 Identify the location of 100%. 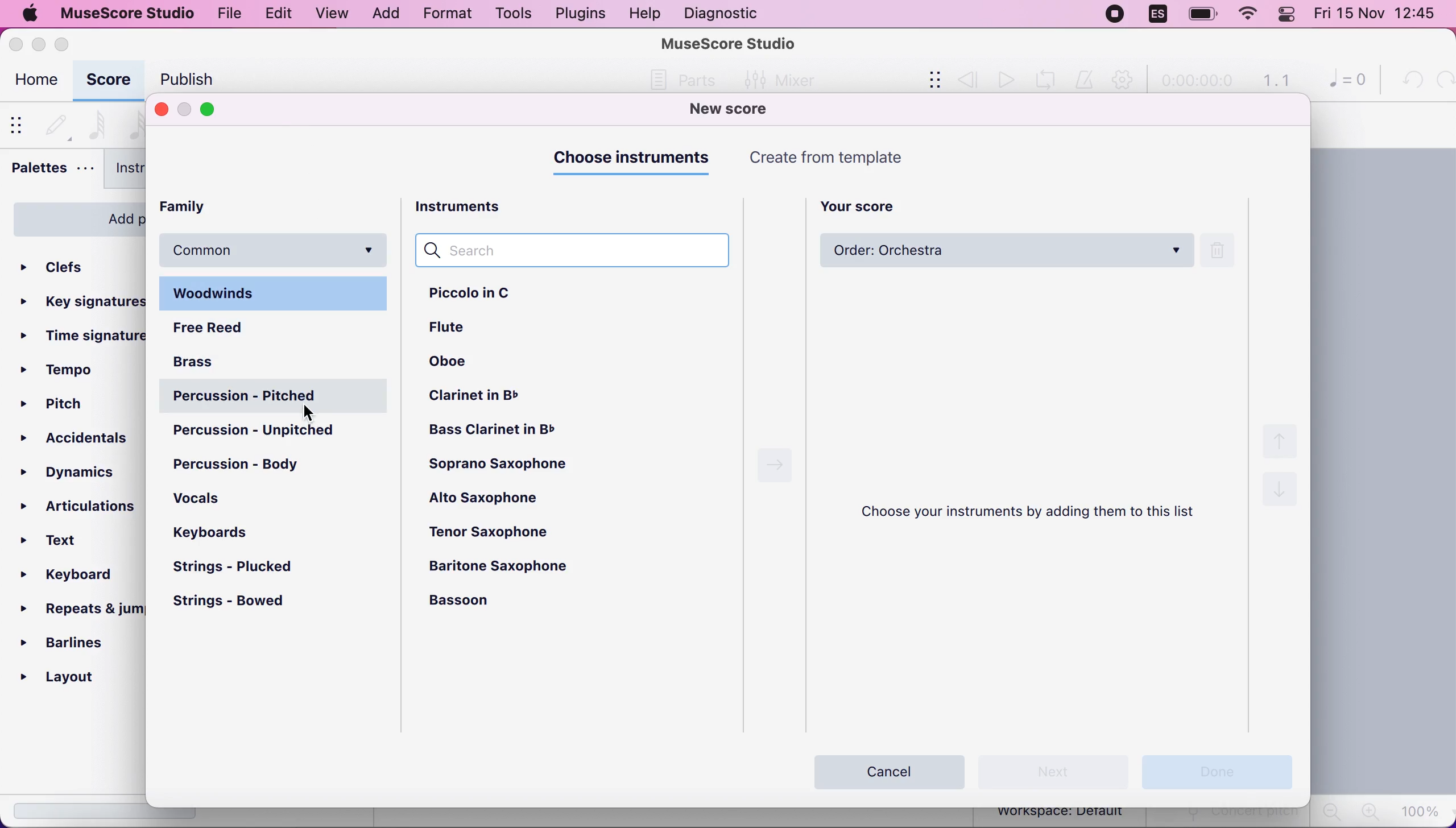
(1422, 810).